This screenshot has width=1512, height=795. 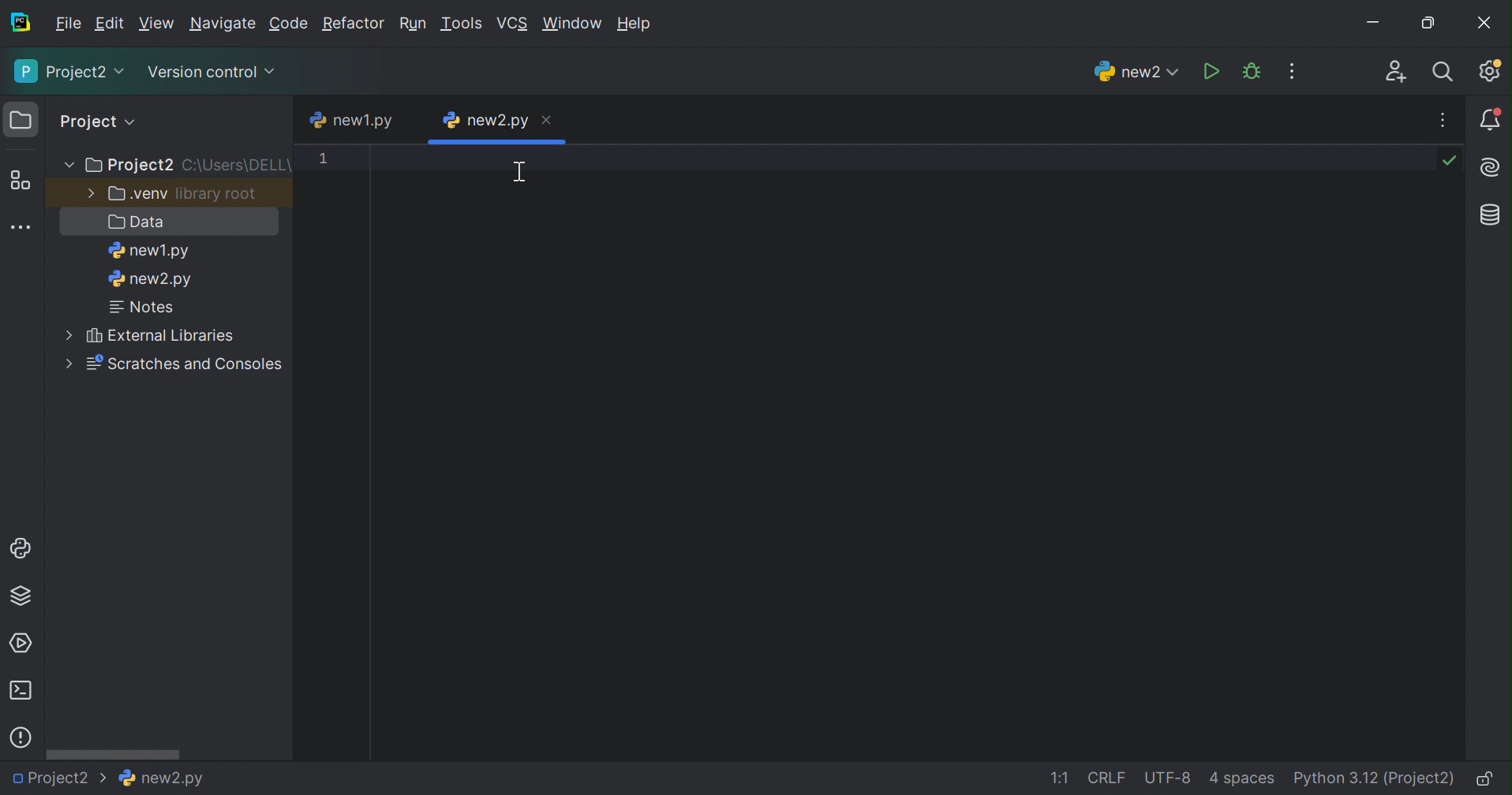 I want to click on Minimize, so click(x=1374, y=18).